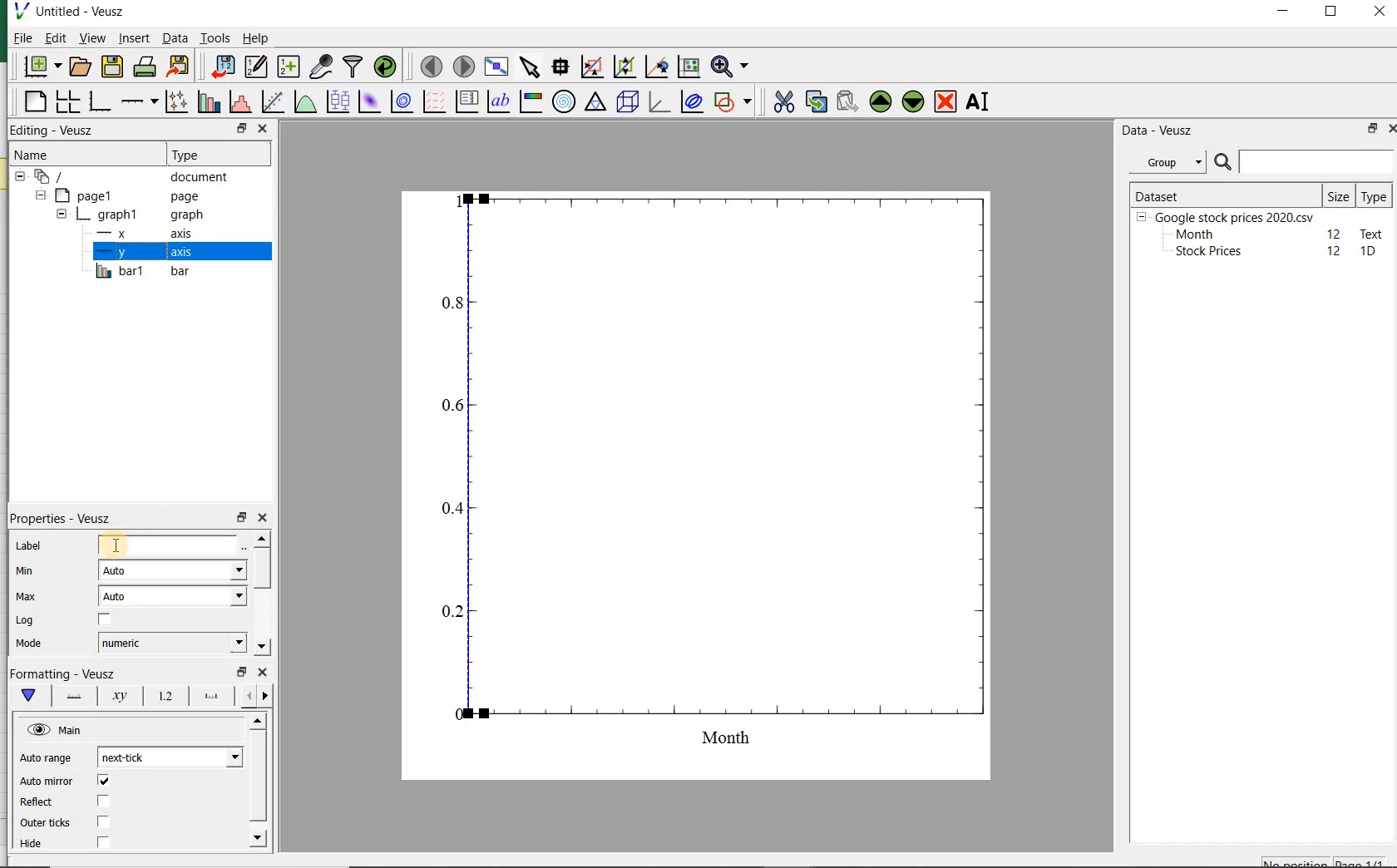 This screenshot has width=1397, height=868. I want to click on Data - Veusz, so click(1158, 130).